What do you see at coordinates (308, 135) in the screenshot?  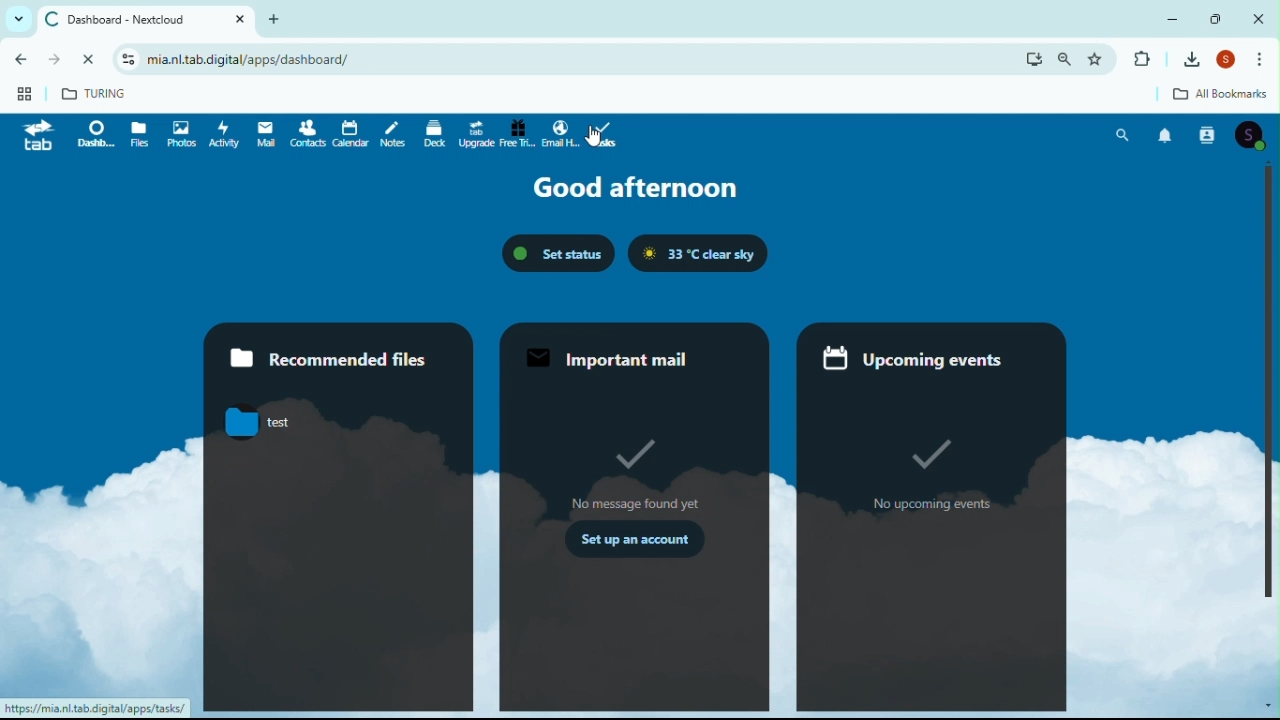 I see `Contacts` at bounding box center [308, 135].